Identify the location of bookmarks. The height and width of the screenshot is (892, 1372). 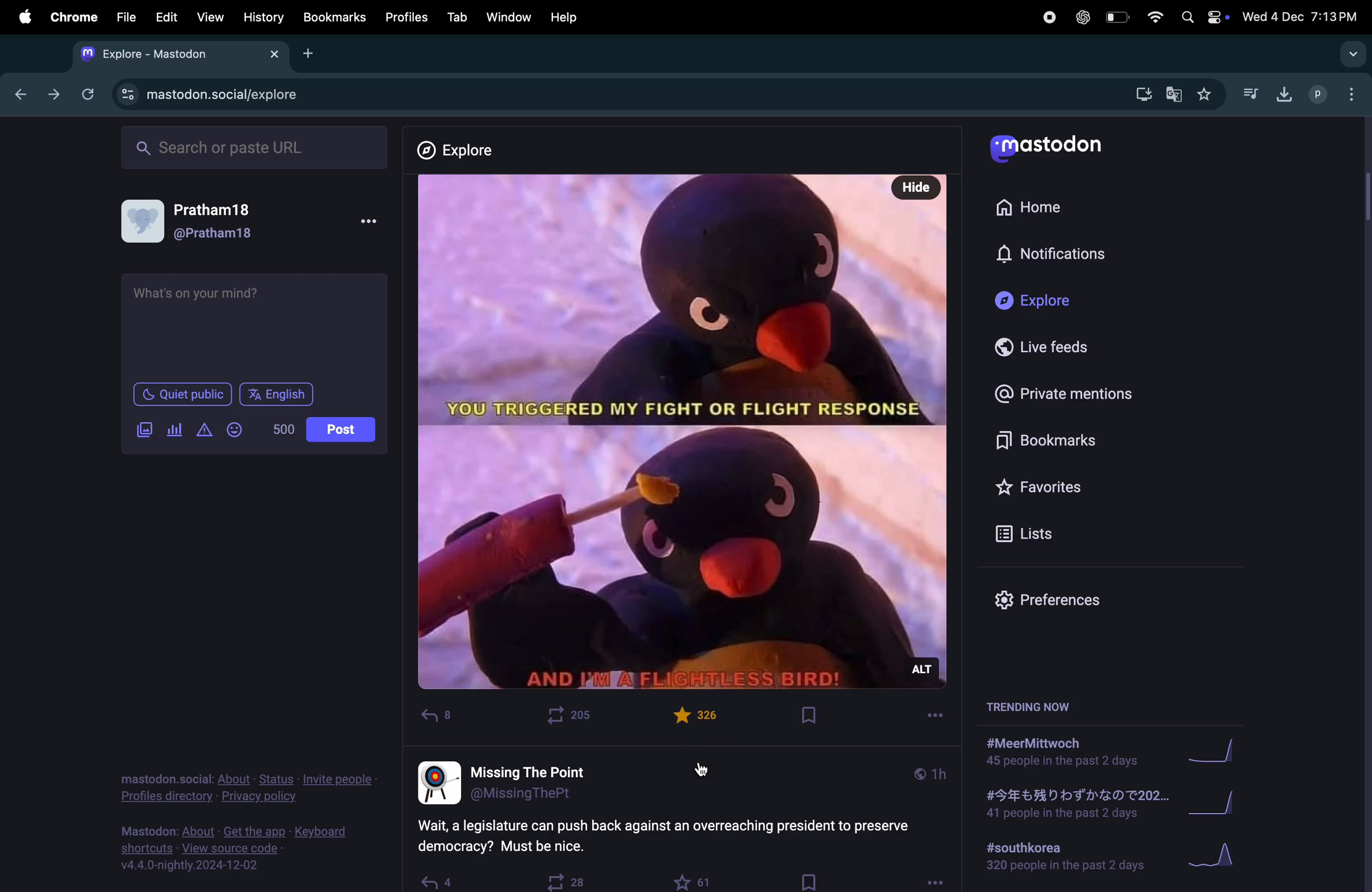
(1060, 439).